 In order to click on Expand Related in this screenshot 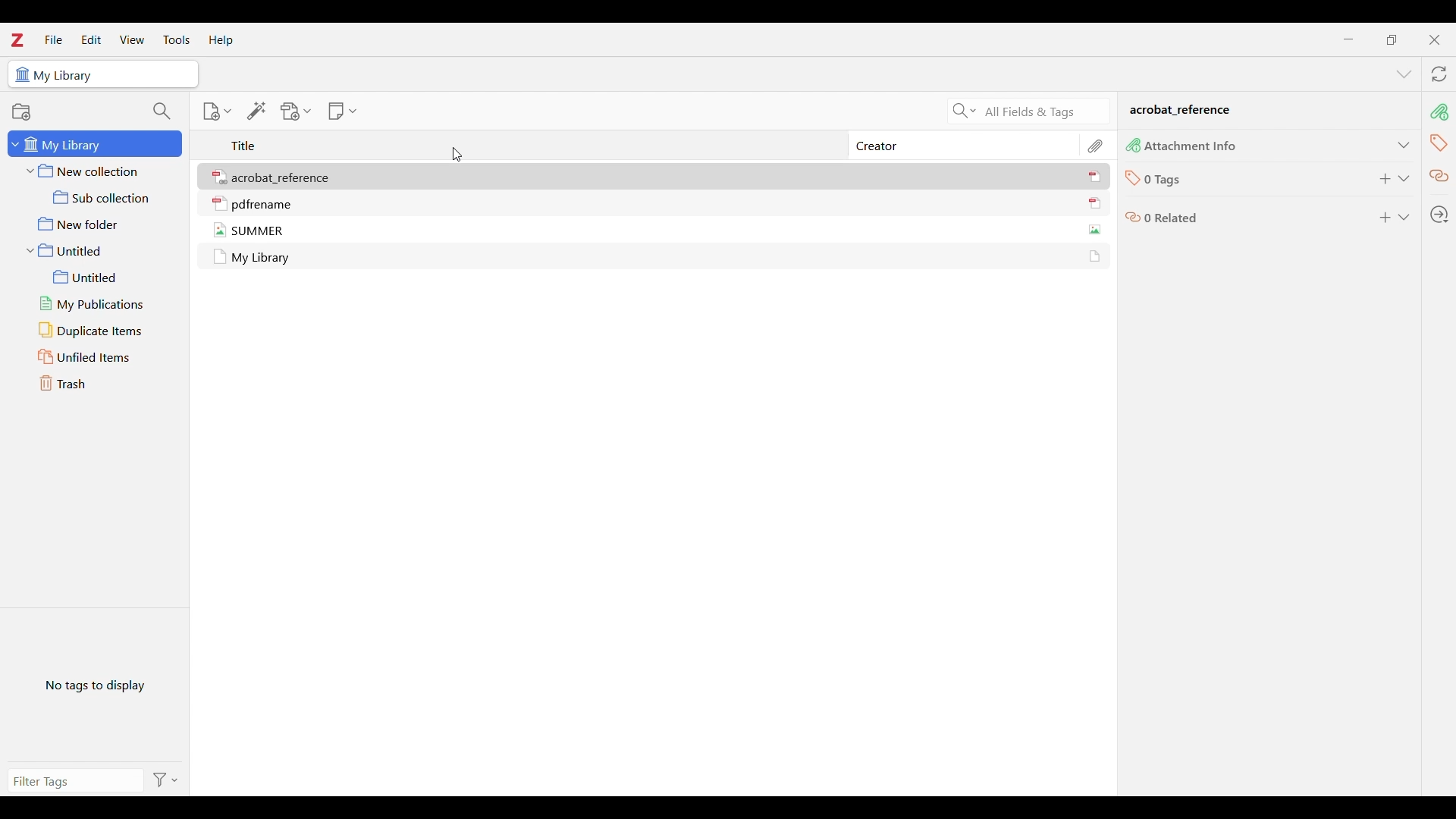, I will do `click(1404, 217)`.